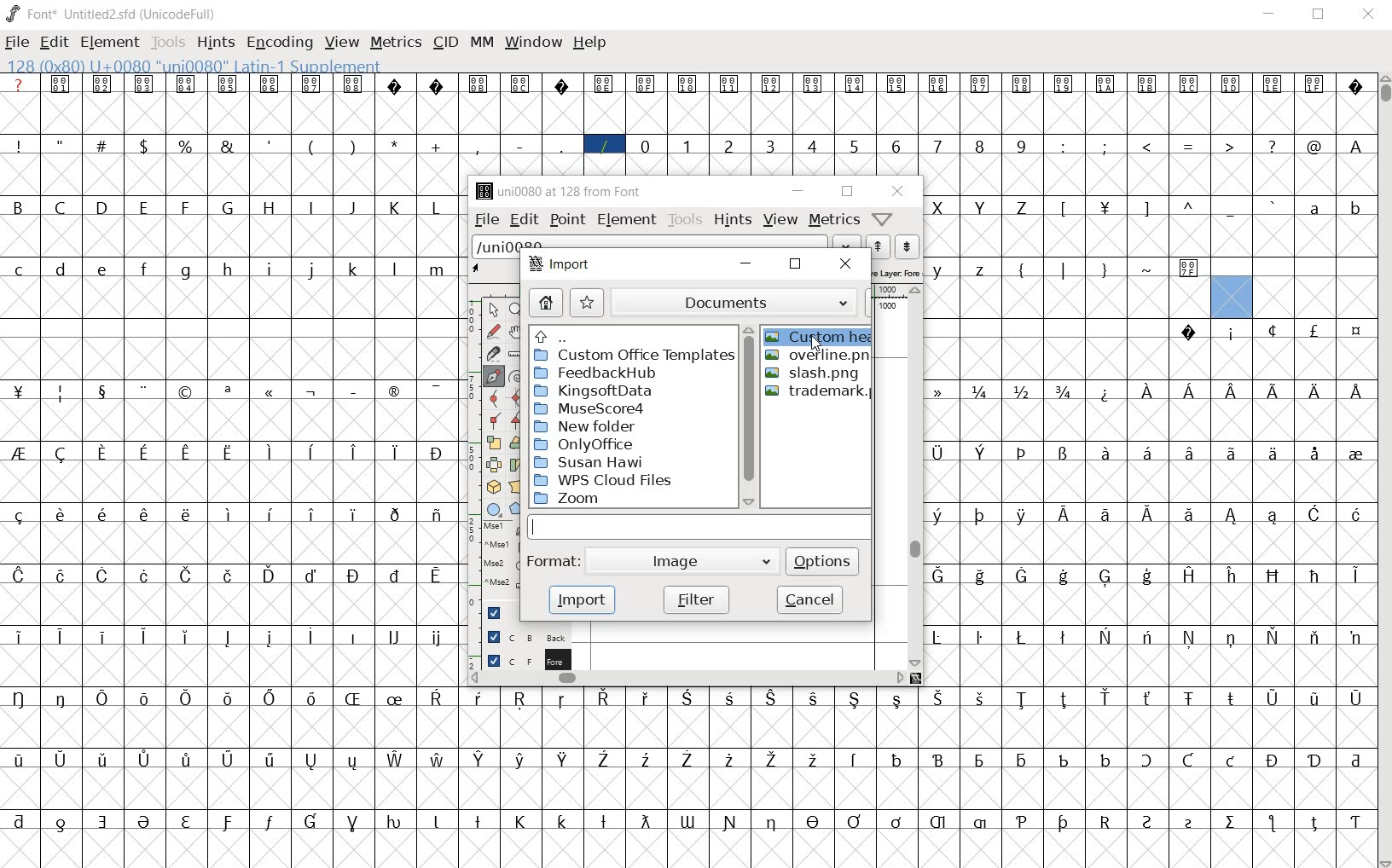  What do you see at coordinates (981, 208) in the screenshot?
I see `glyph` at bounding box center [981, 208].